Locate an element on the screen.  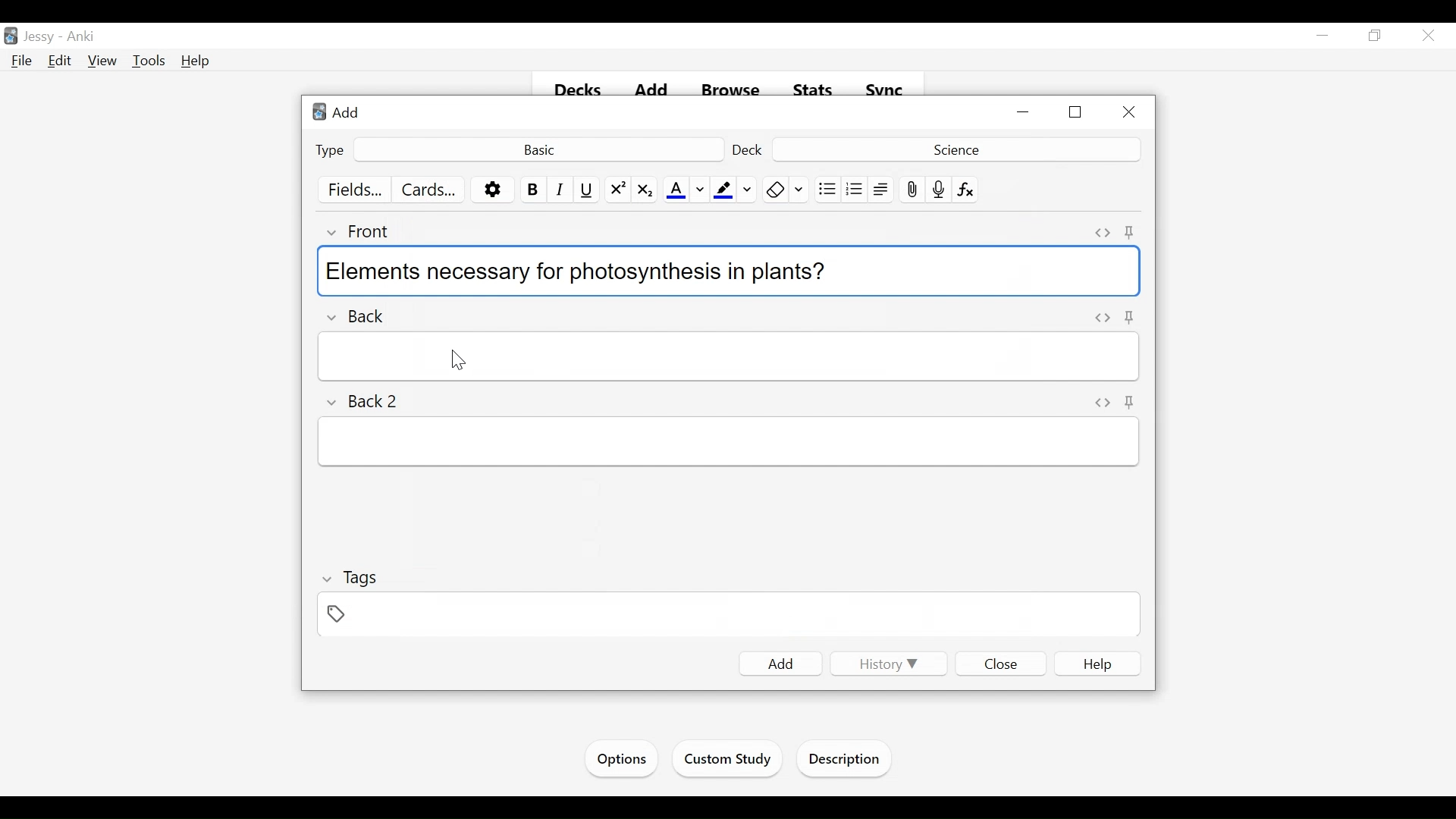
Underline is located at coordinates (588, 190).